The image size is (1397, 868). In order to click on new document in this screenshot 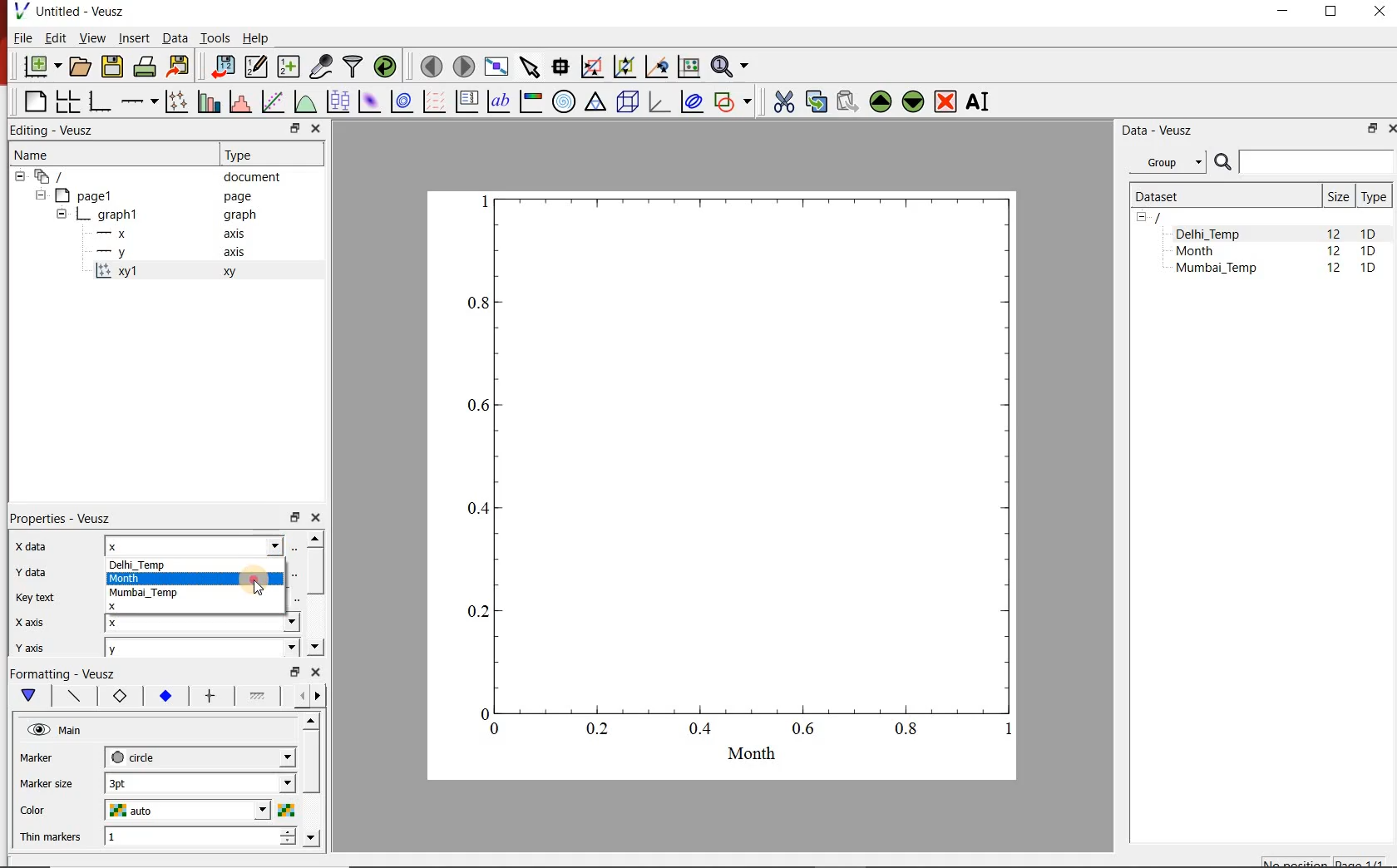, I will do `click(41, 67)`.